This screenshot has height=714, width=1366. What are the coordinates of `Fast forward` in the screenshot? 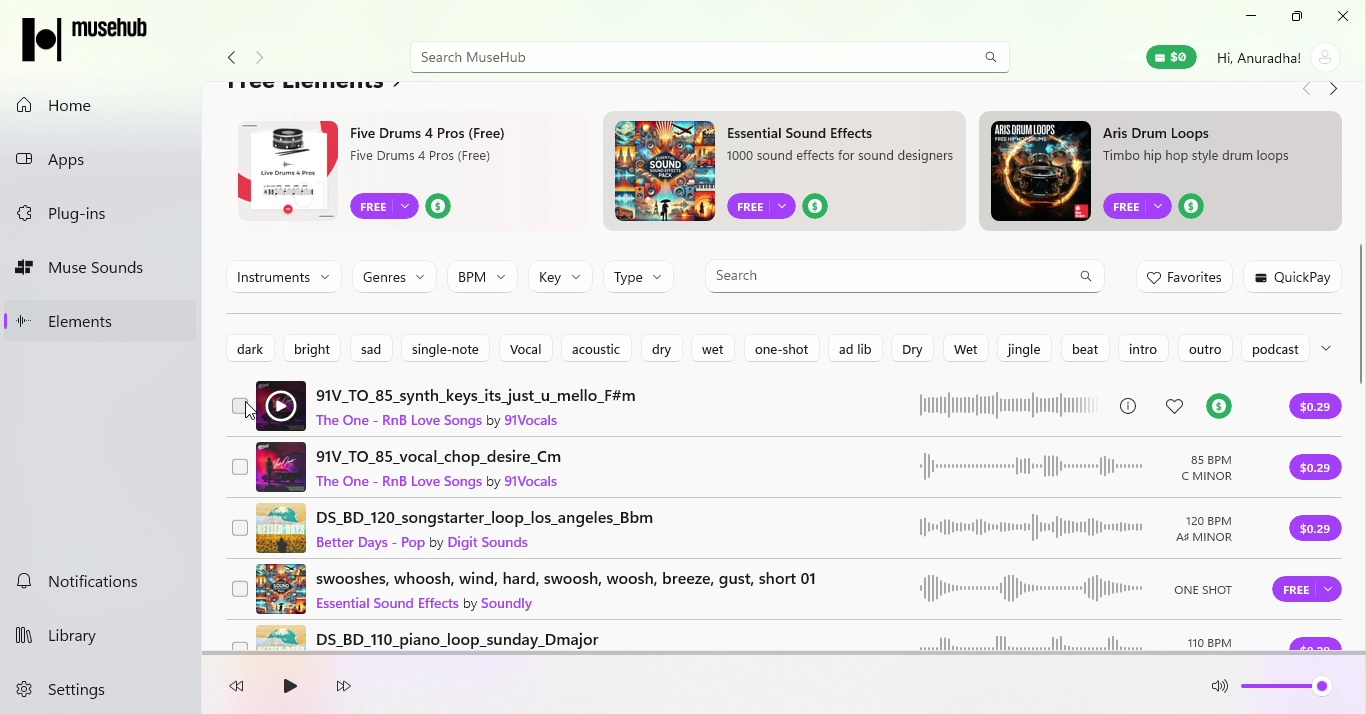 It's located at (344, 688).